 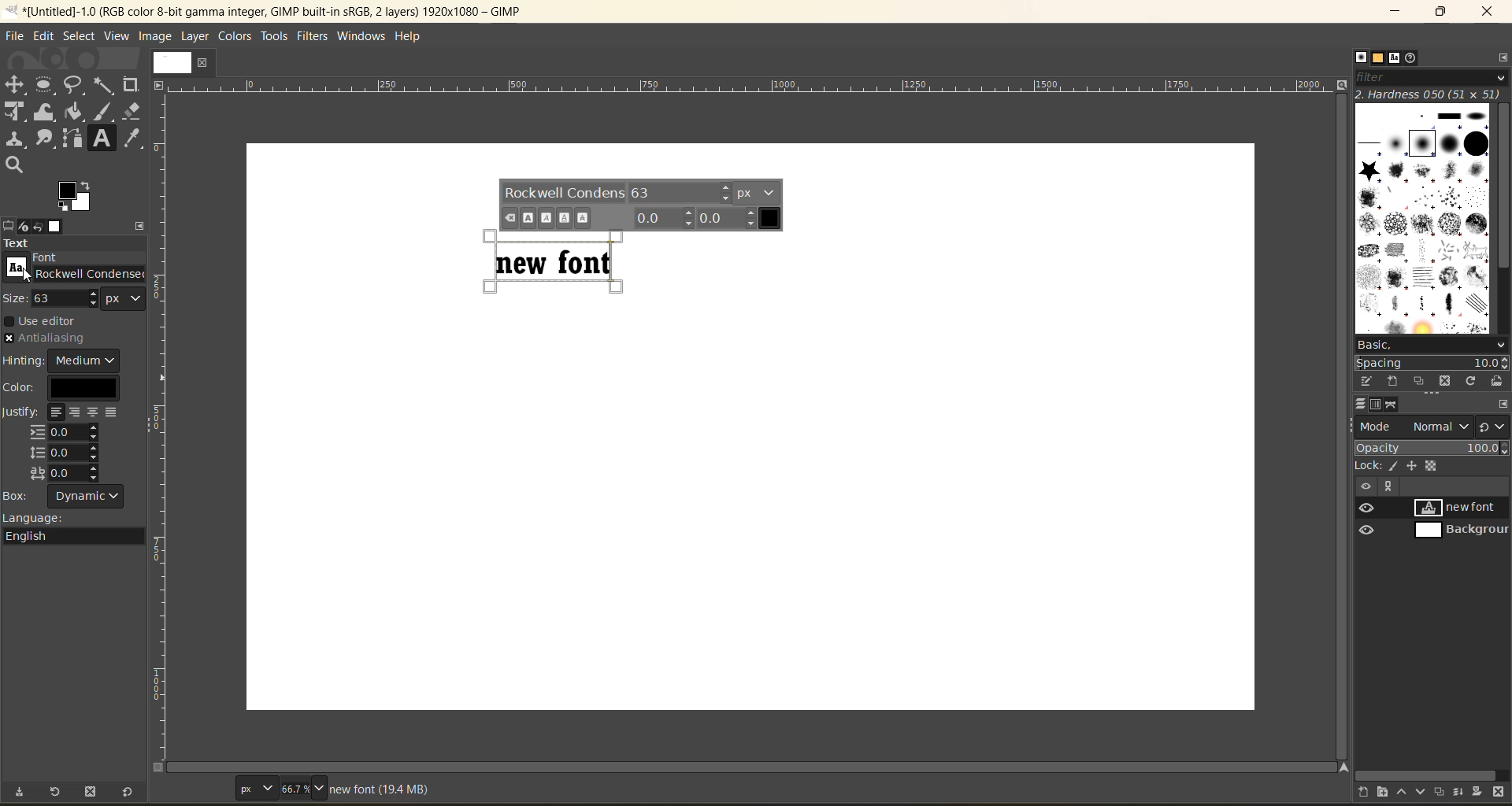 I want to click on delete tool preset, so click(x=91, y=794).